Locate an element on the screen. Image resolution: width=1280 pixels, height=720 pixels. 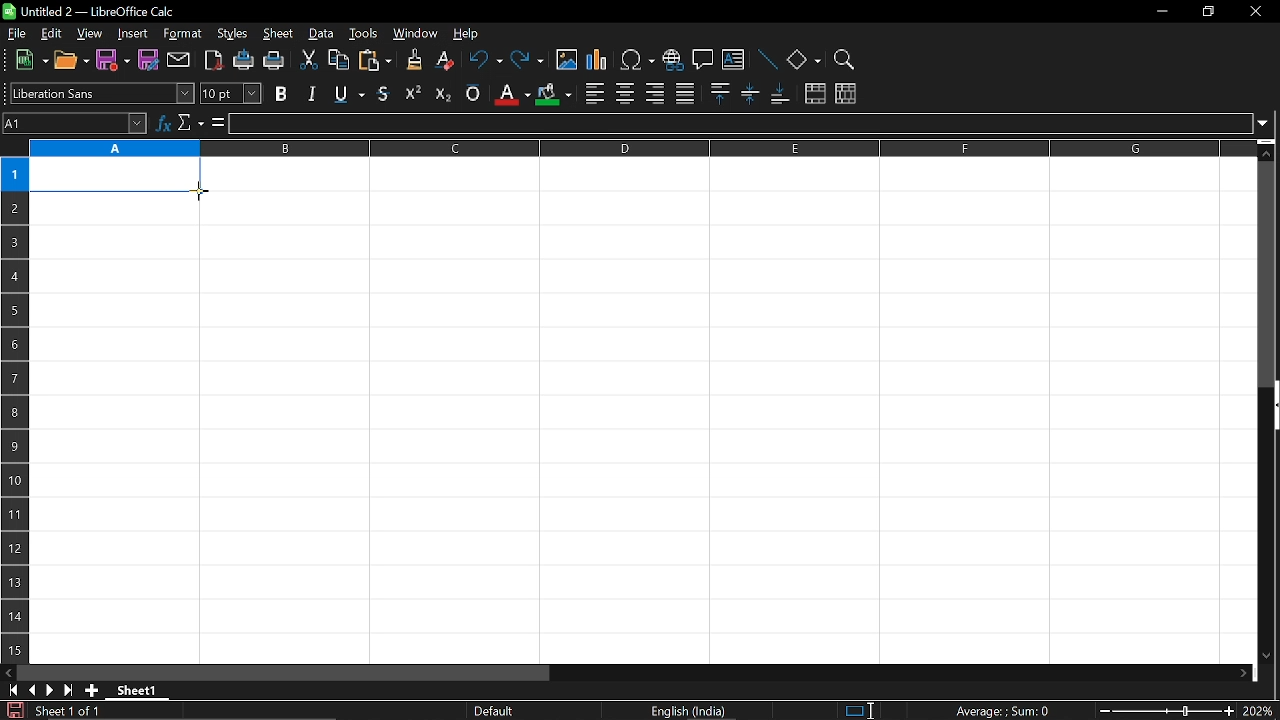
text size is located at coordinates (231, 93).